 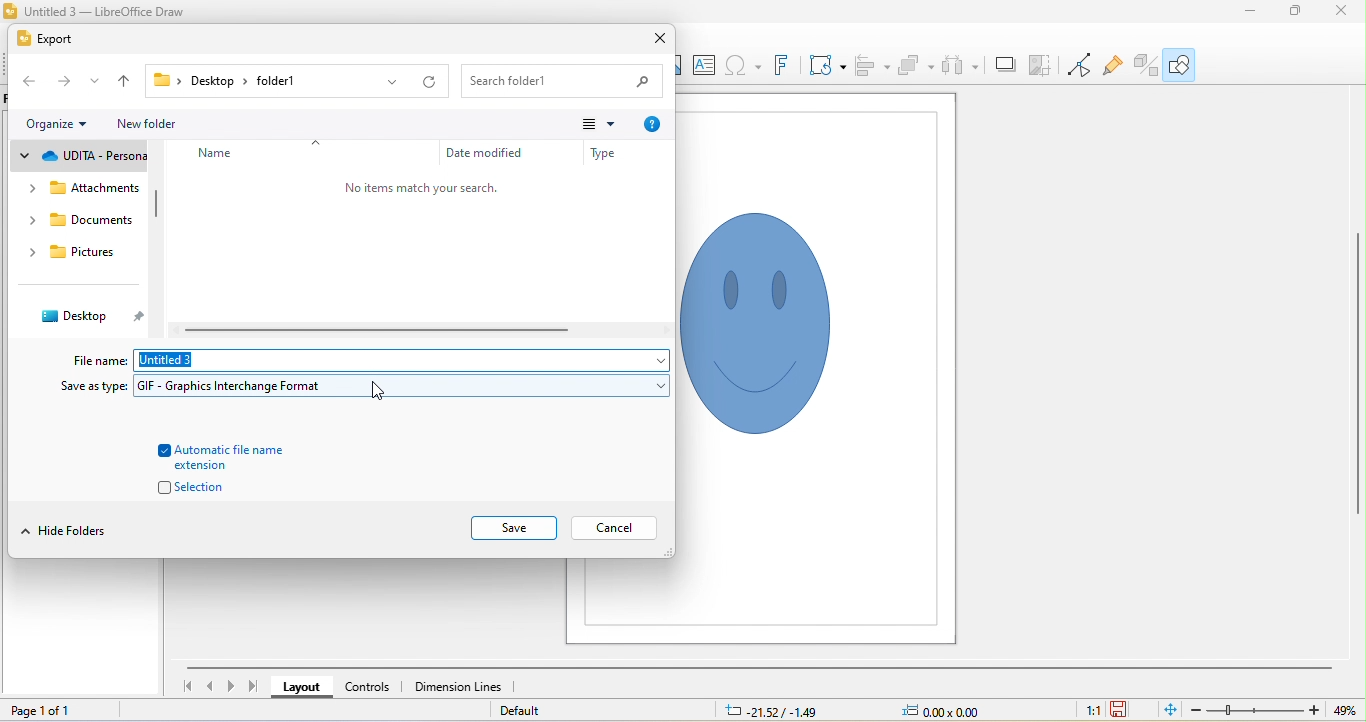 What do you see at coordinates (1293, 11) in the screenshot?
I see `maximize` at bounding box center [1293, 11].